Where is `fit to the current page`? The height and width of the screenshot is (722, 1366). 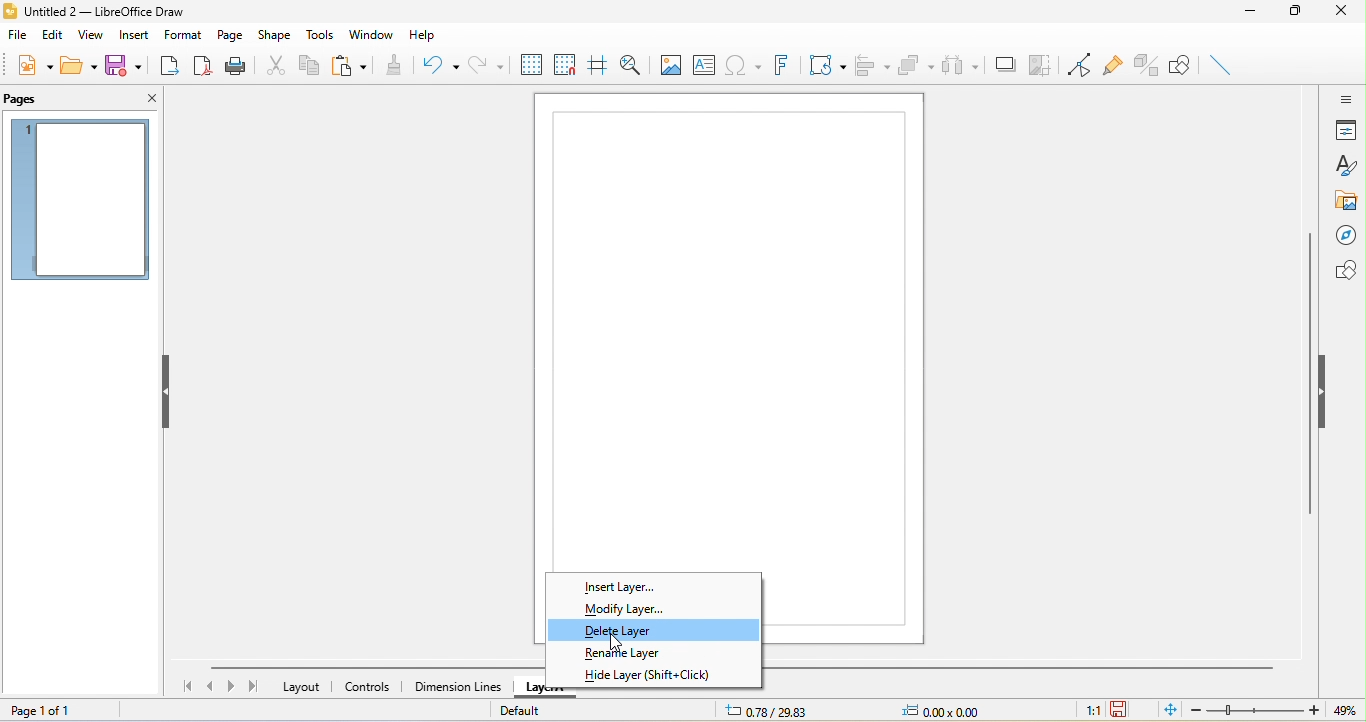 fit to the current page is located at coordinates (1163, 710).